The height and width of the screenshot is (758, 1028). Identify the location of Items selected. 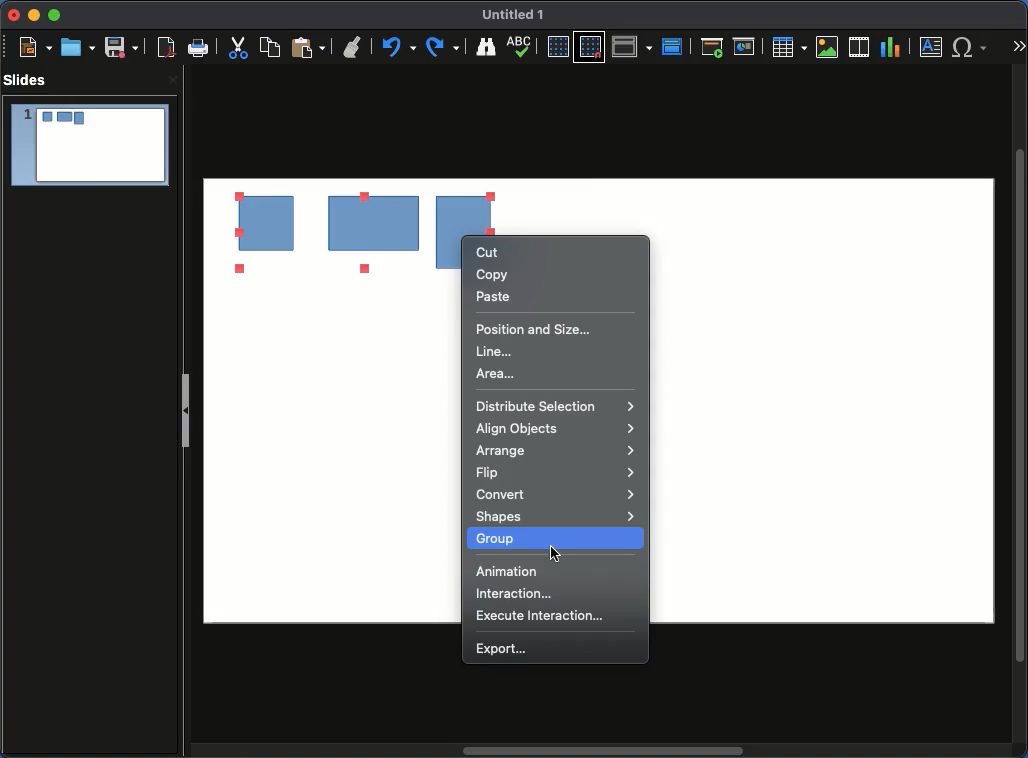
(303, 233).